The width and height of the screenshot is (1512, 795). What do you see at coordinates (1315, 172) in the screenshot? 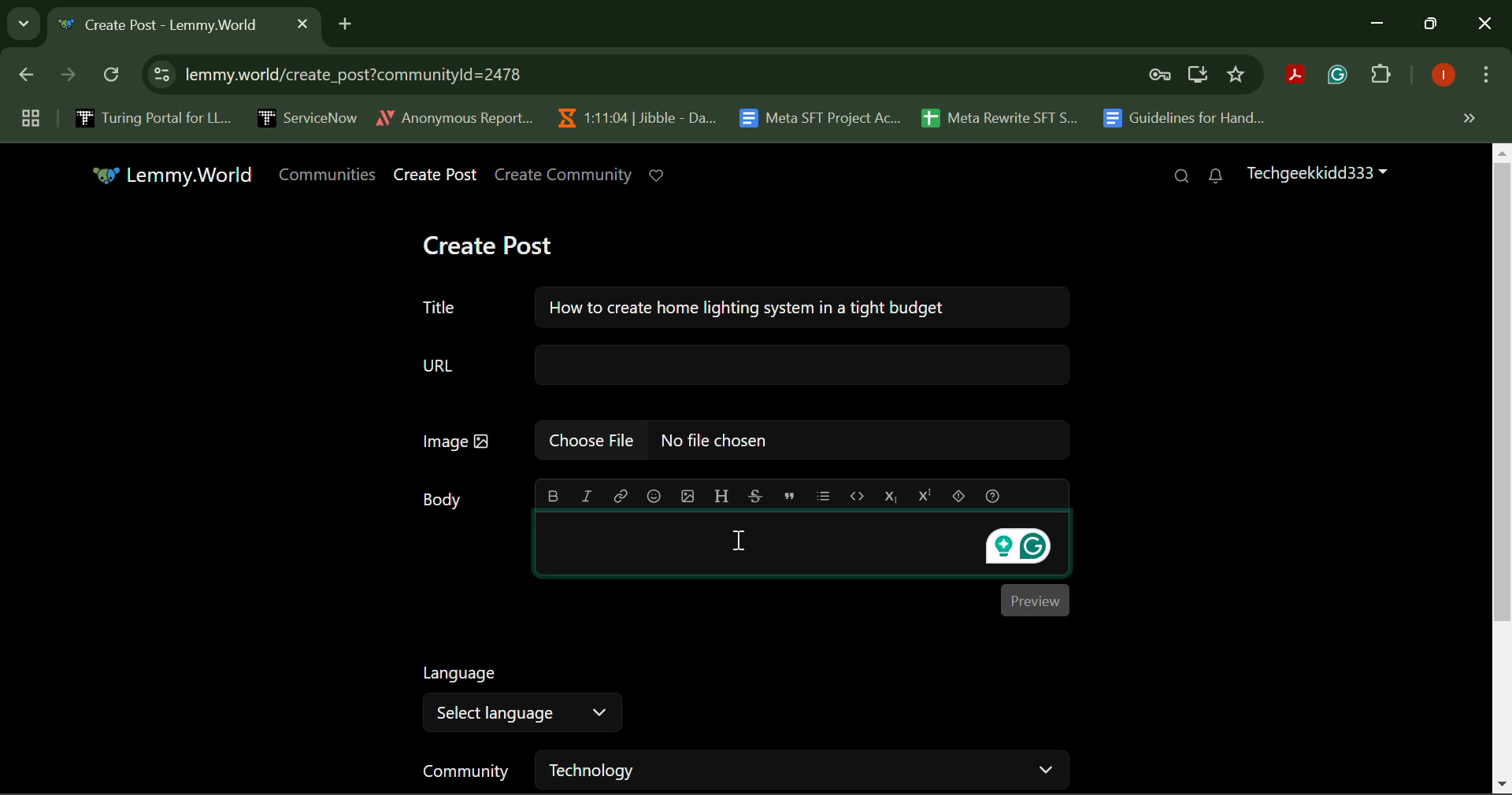
I see `Techgeekkidd333` at bounding box center [1315, 172].